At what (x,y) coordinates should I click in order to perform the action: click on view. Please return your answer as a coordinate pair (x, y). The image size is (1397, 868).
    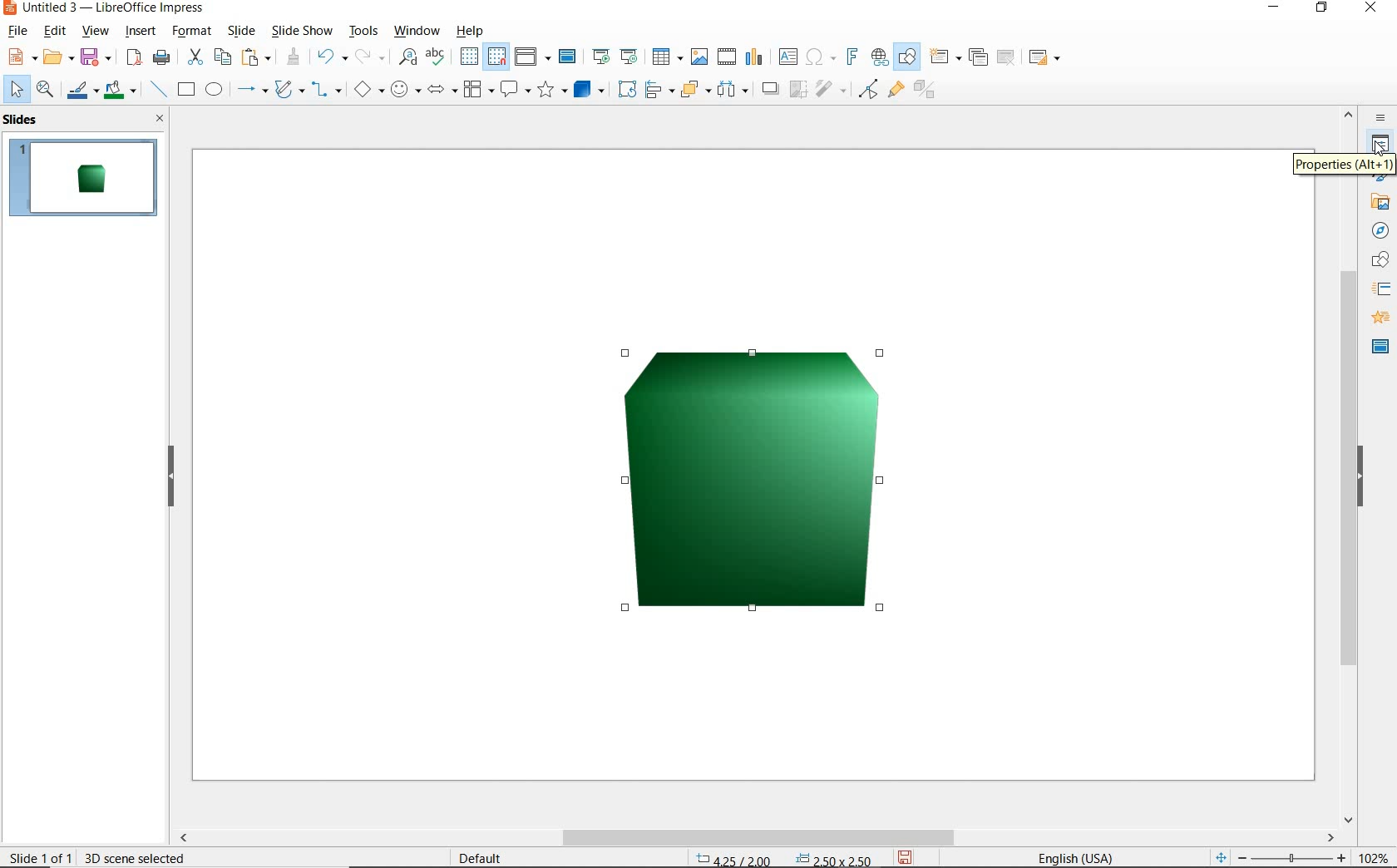
    Looking at the image, I should click on (96, 31).